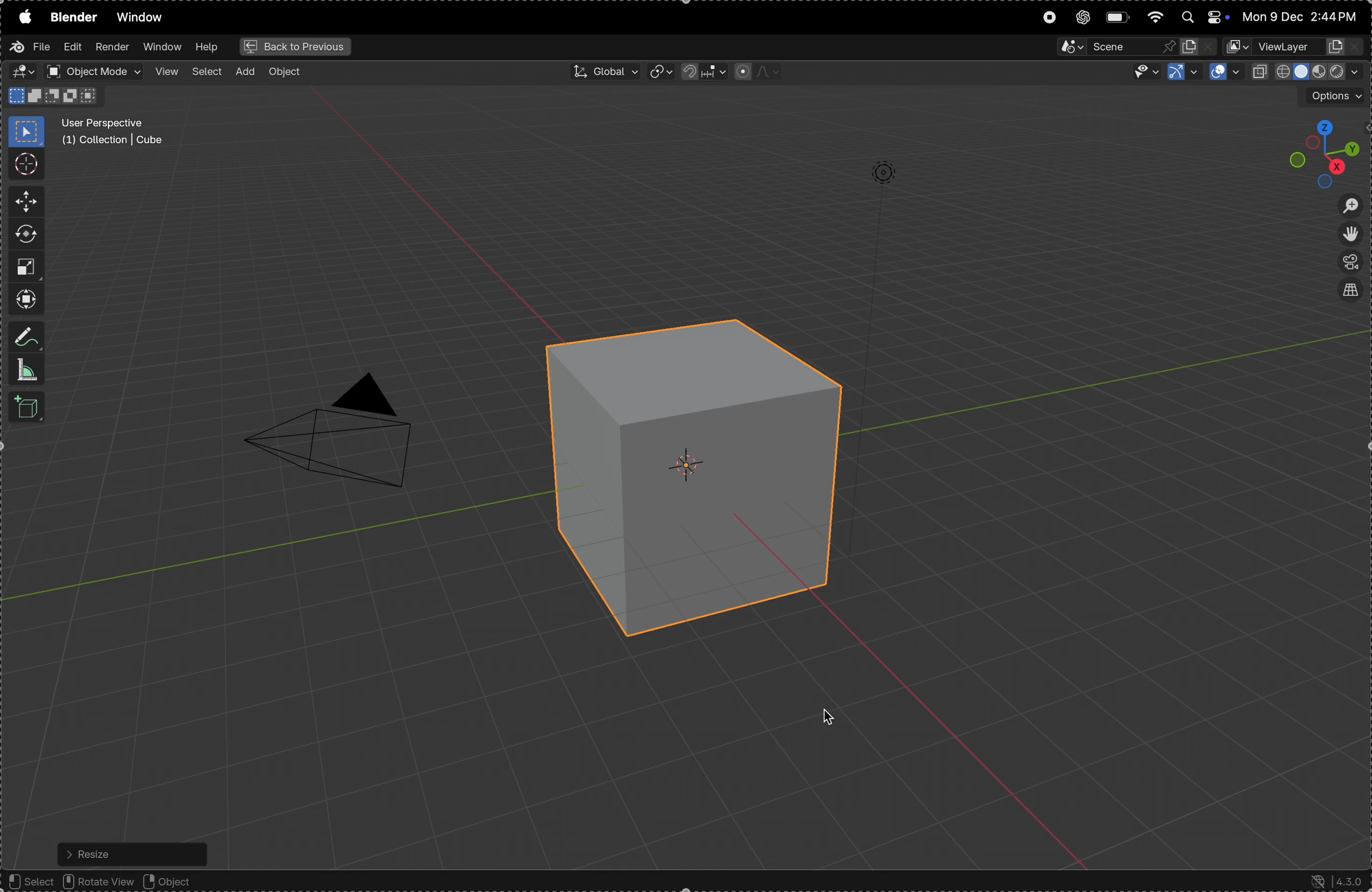  Describe the element at coordinates (248, 71) in the screenshot. I see `add` at that location.